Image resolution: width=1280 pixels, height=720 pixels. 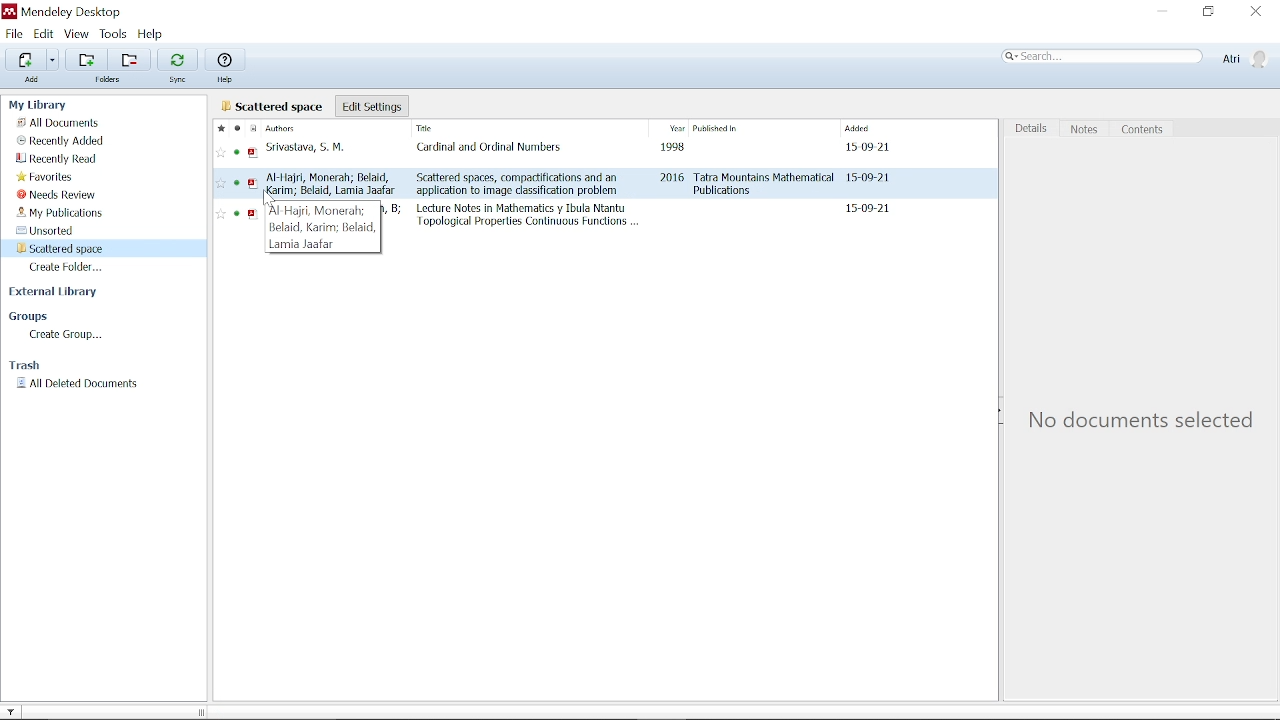 What do you see at coordinates (179, 81) in the screenshot?
I see `sync` at bounding box center [179, 81].